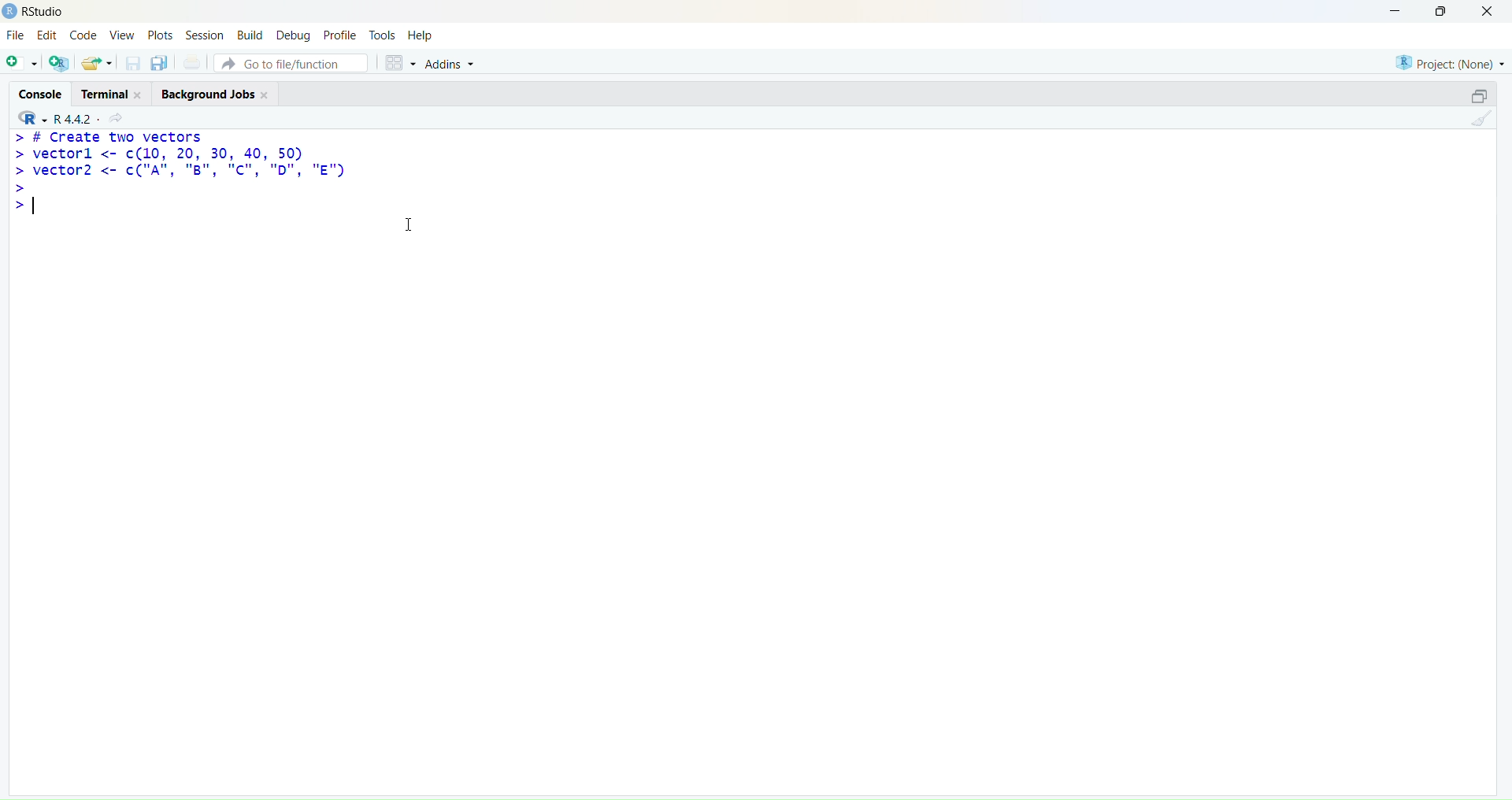  What do you see at coordinates (1488, 13) in the screenshot?
I see `Close` at bounding box center [1488, 13].